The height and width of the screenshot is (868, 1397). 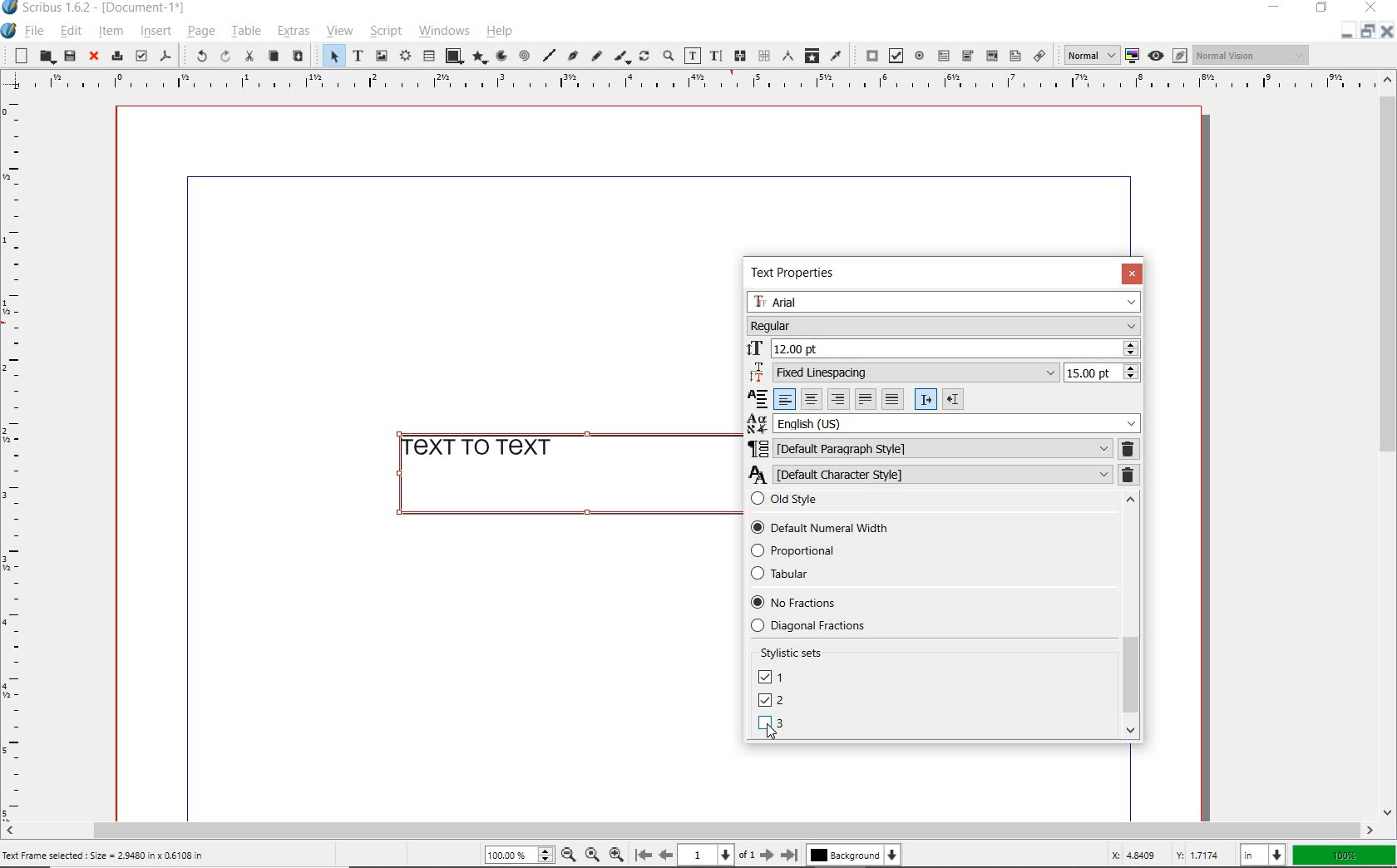 What do you see at coordinates (866, 398) in the screenshot?
I see `Text justified` at bounding box center [866, 398].